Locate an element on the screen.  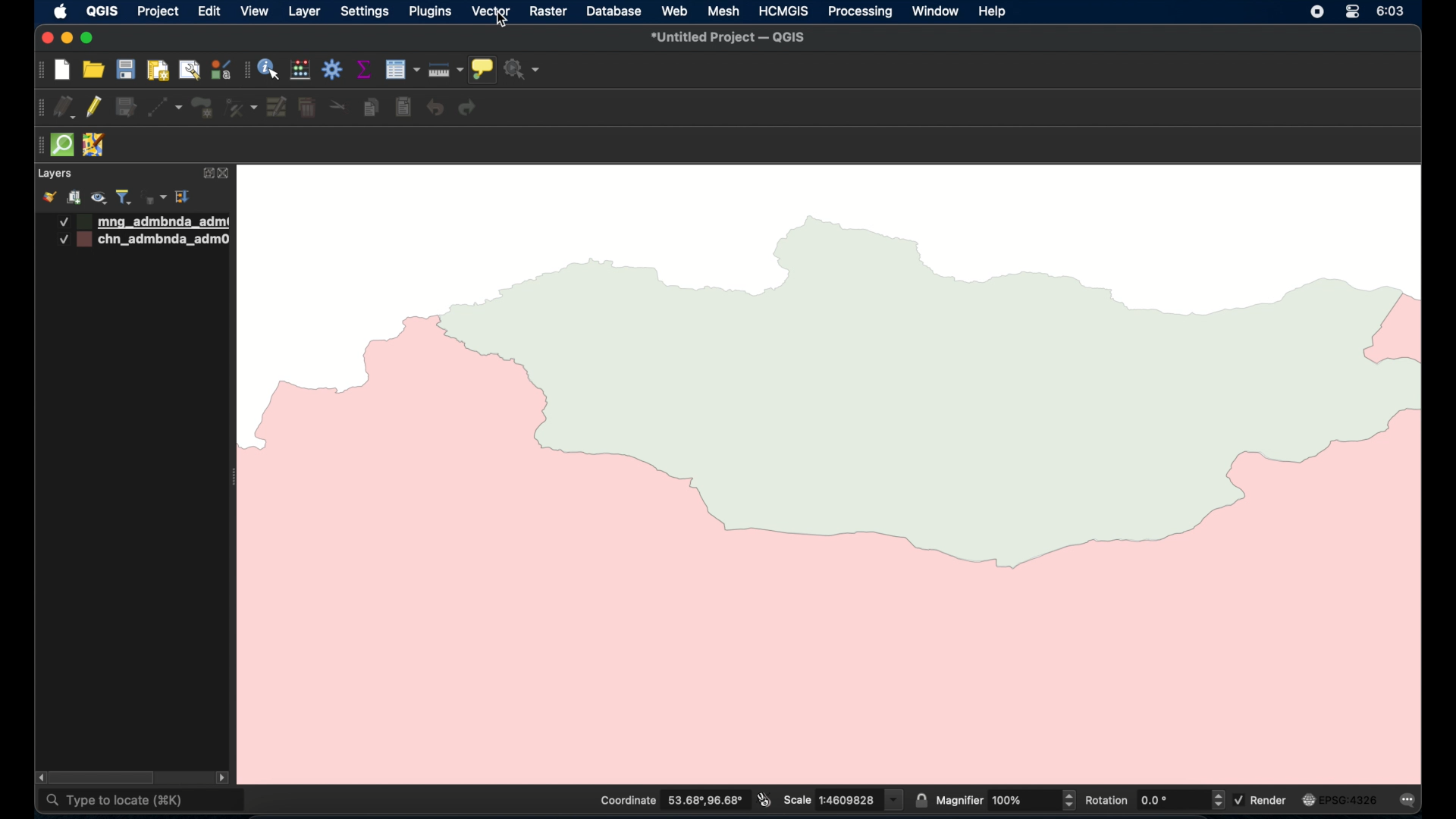
current edits is located at coordinates (65, 108).